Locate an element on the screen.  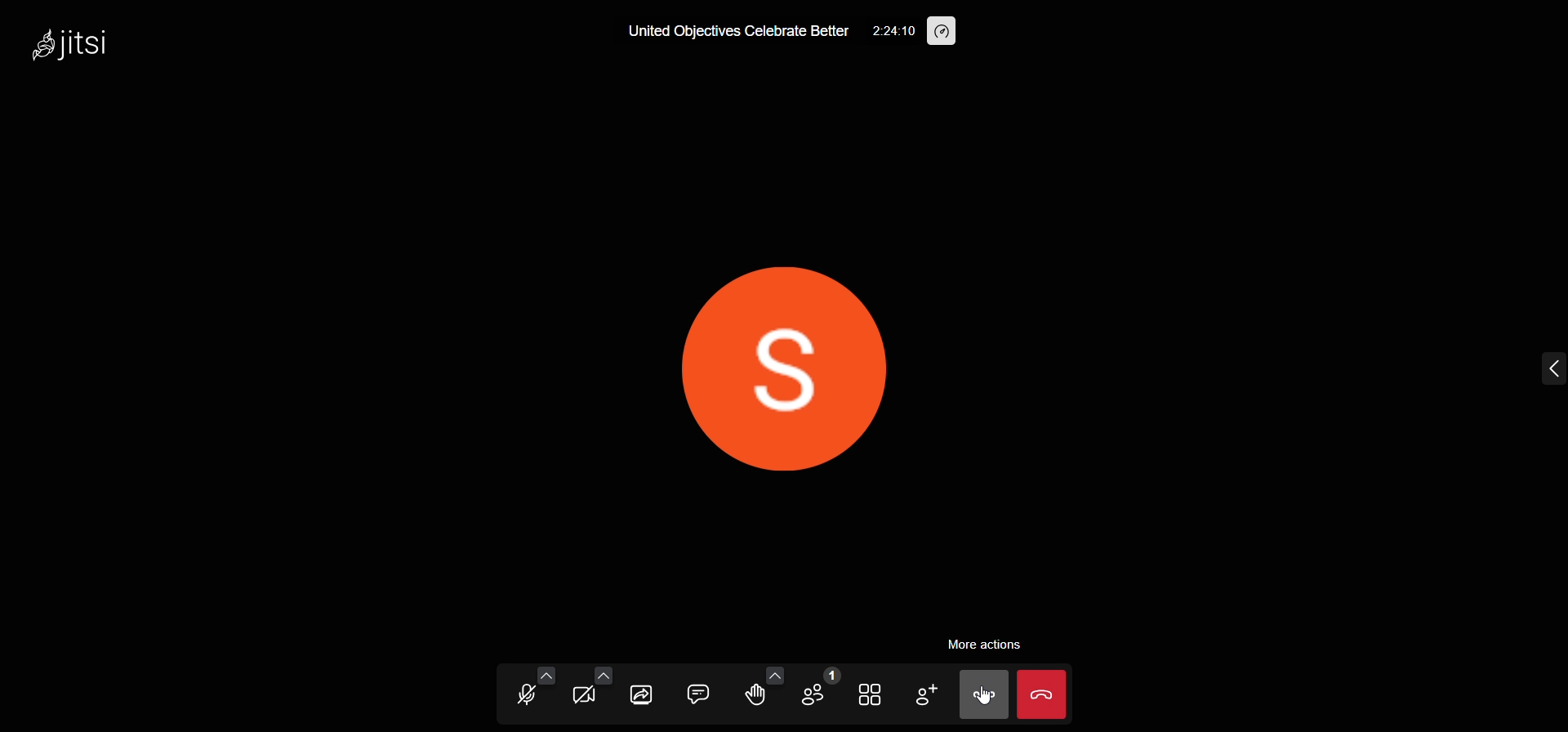
more is located at coordinates (981, 696).